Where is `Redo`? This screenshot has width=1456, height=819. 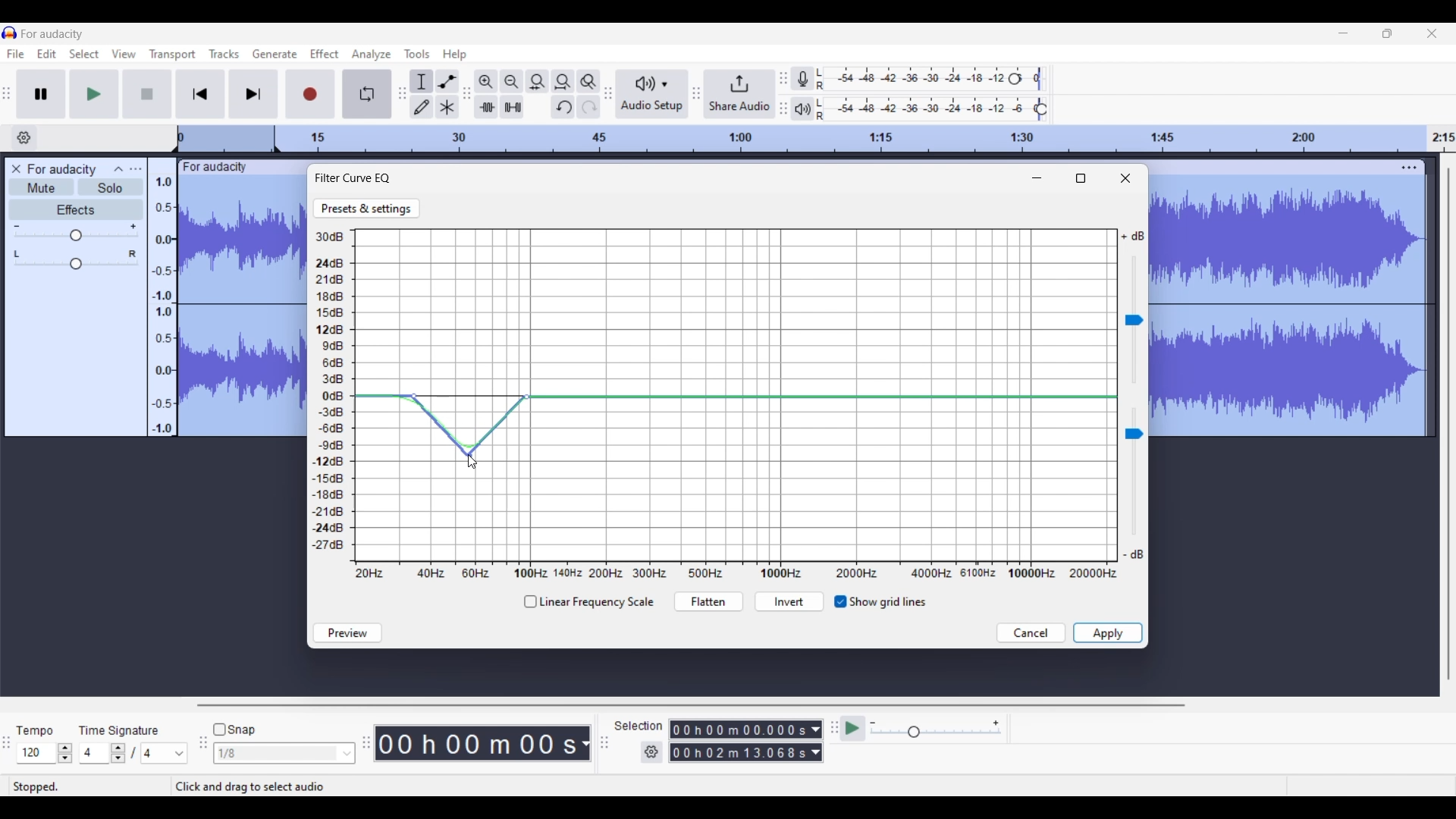 Redo is located at coordinates (588, 106).